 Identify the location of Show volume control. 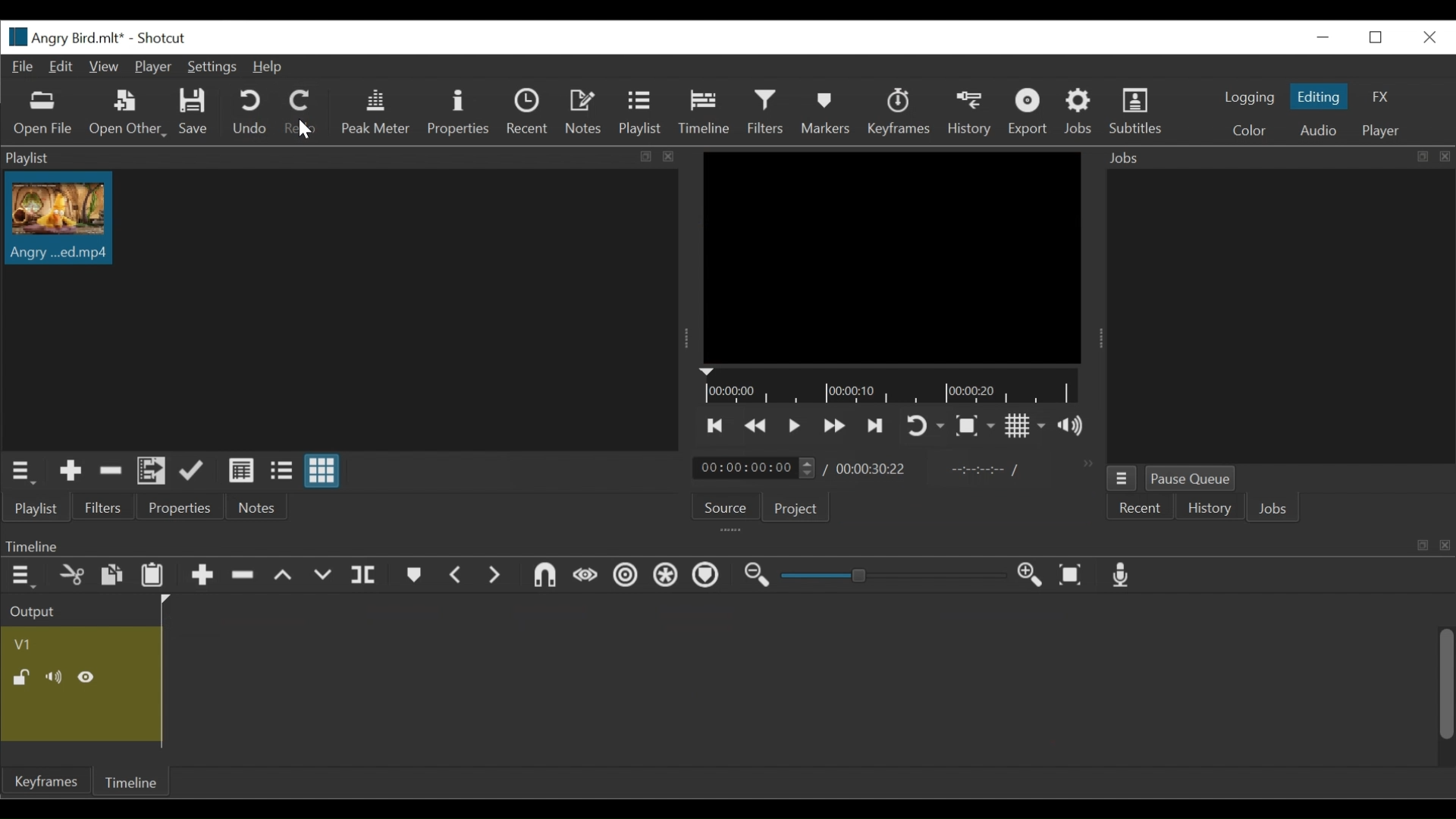
(1070, 425).